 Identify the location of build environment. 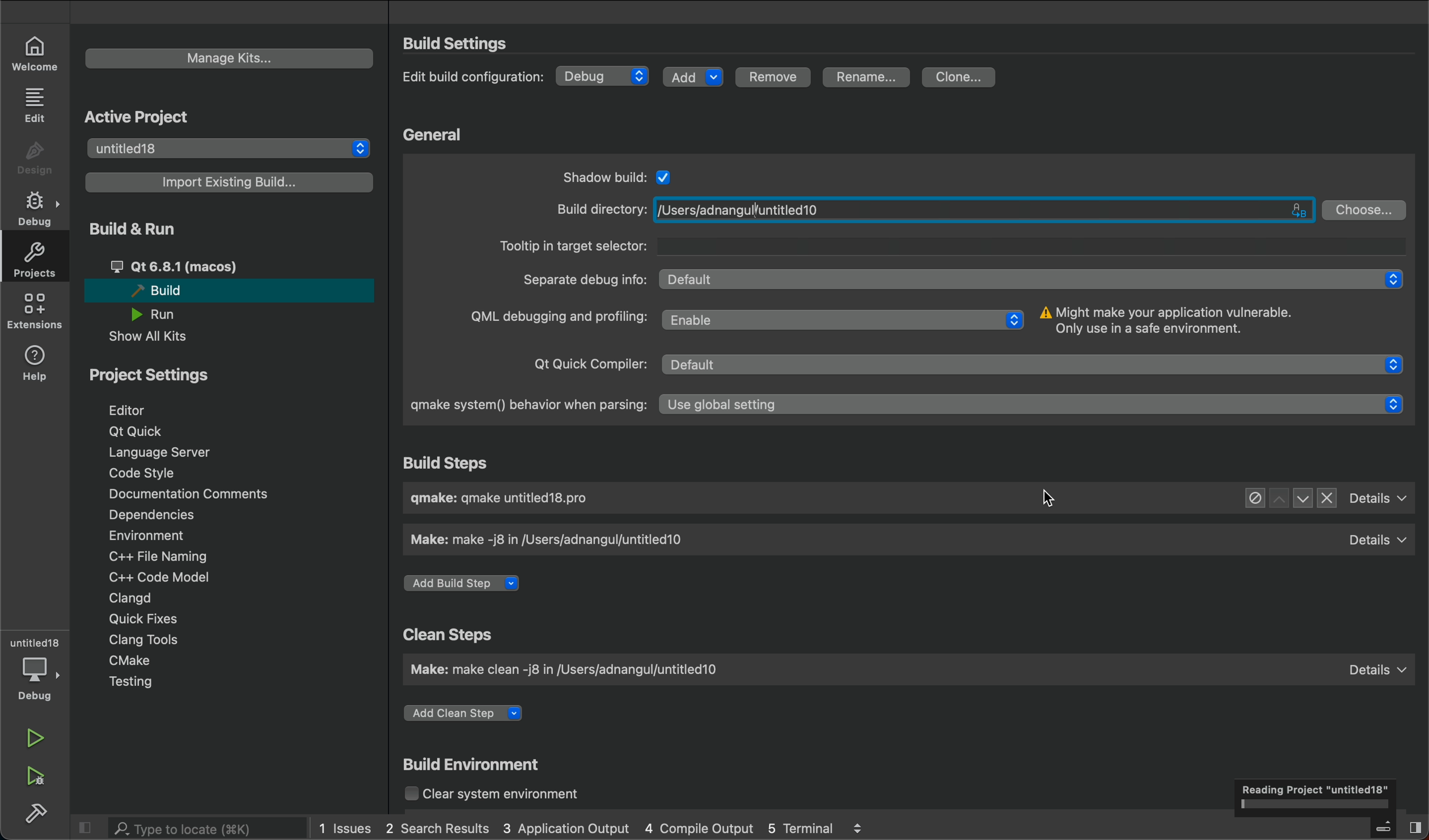
(483, 764).